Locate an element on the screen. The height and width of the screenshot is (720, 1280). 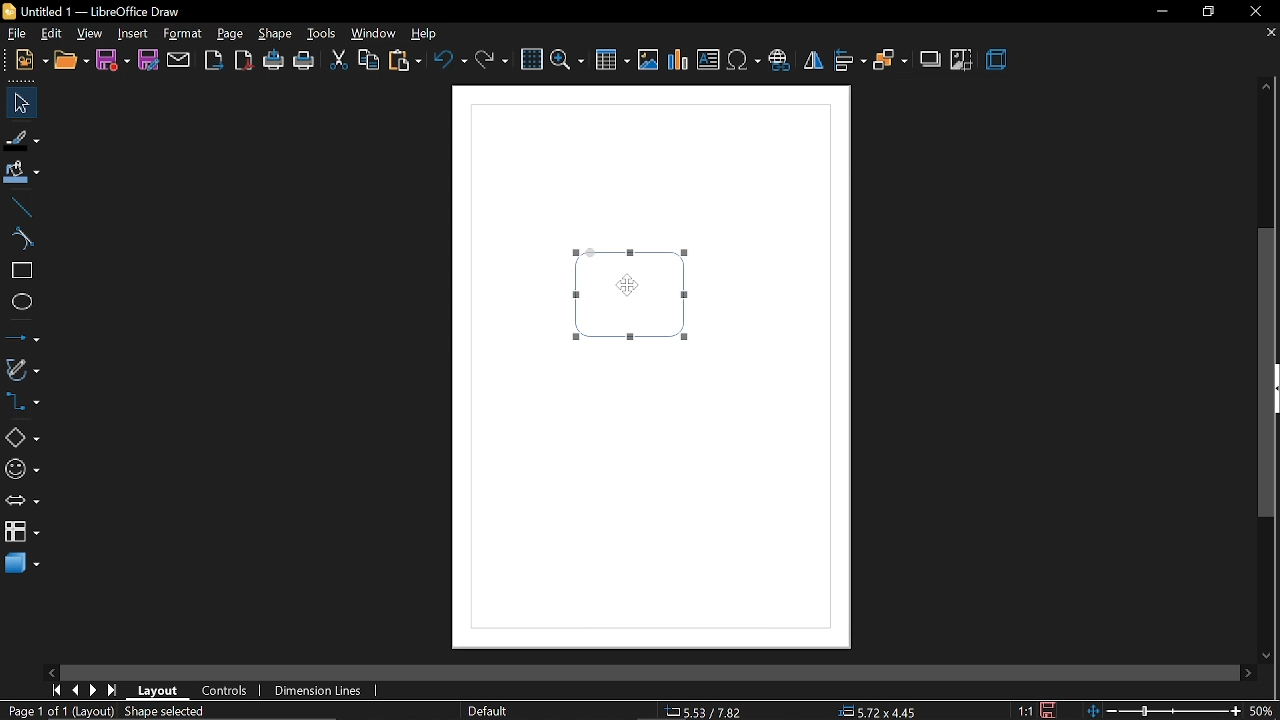
flip is located at coordinates (812, 63).